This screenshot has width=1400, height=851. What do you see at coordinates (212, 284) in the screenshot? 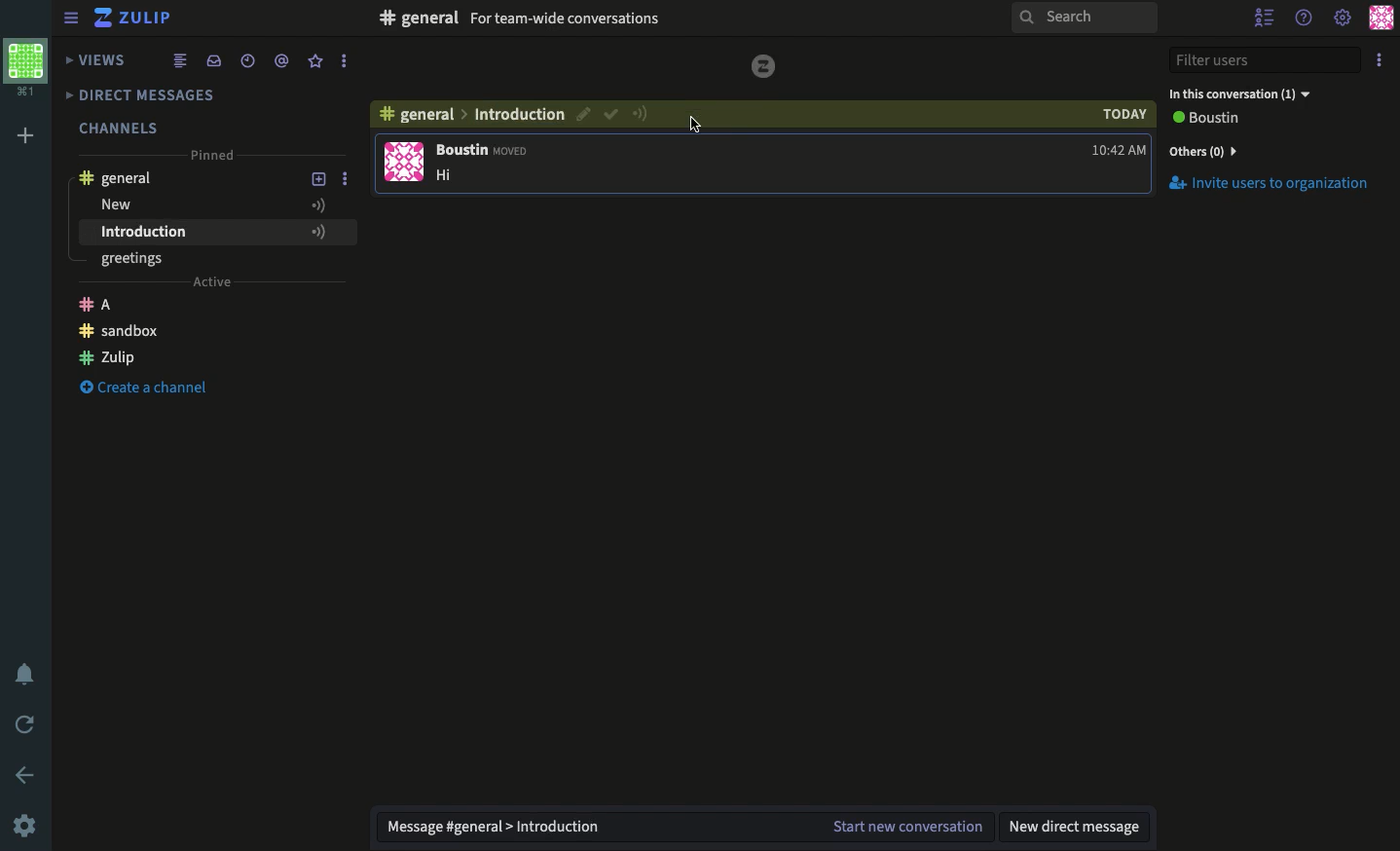
I see `Active` at bounding box center [212, 284].